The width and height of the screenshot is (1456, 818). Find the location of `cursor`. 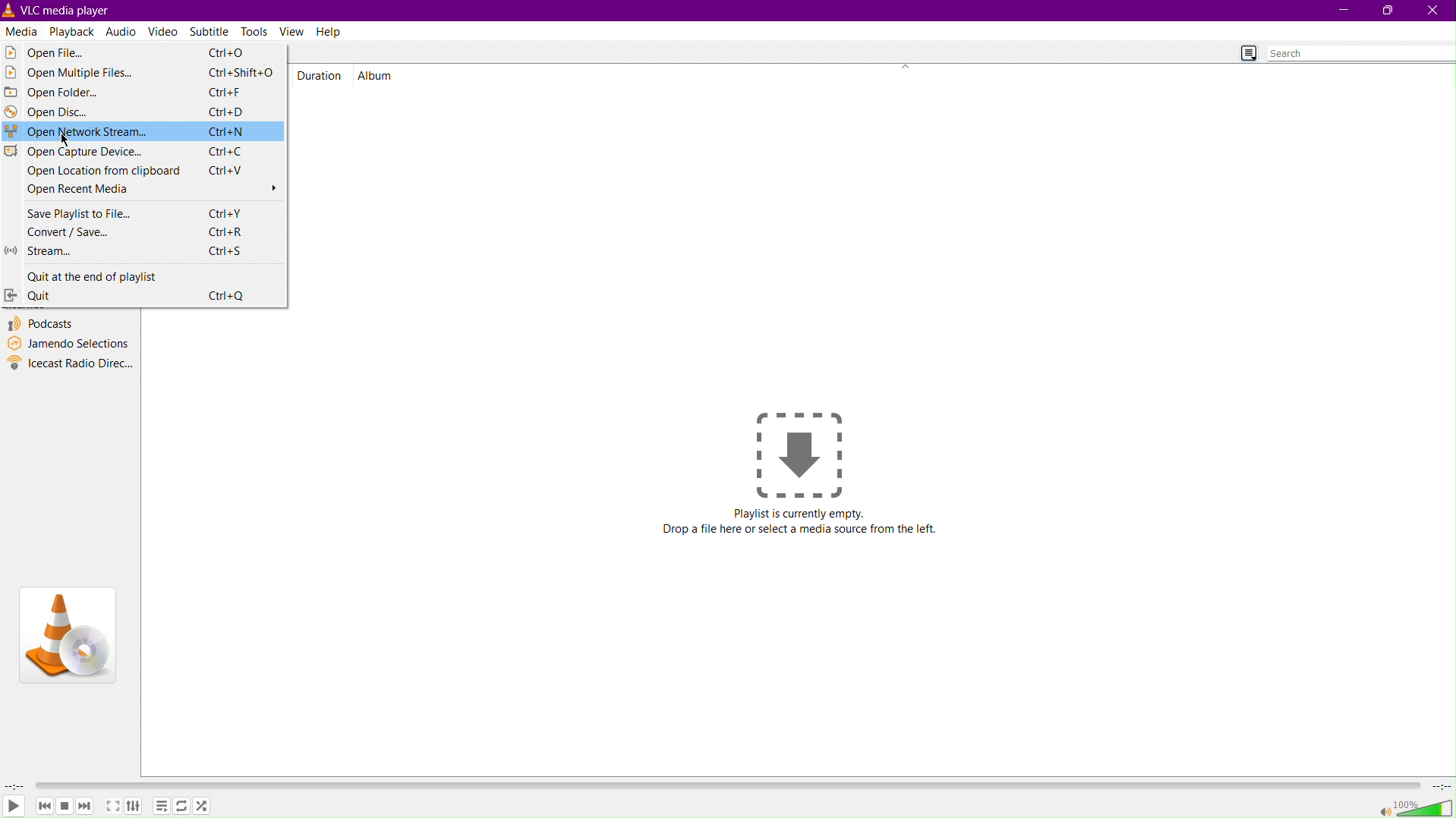

cursor is located at coordinates (68, 141).